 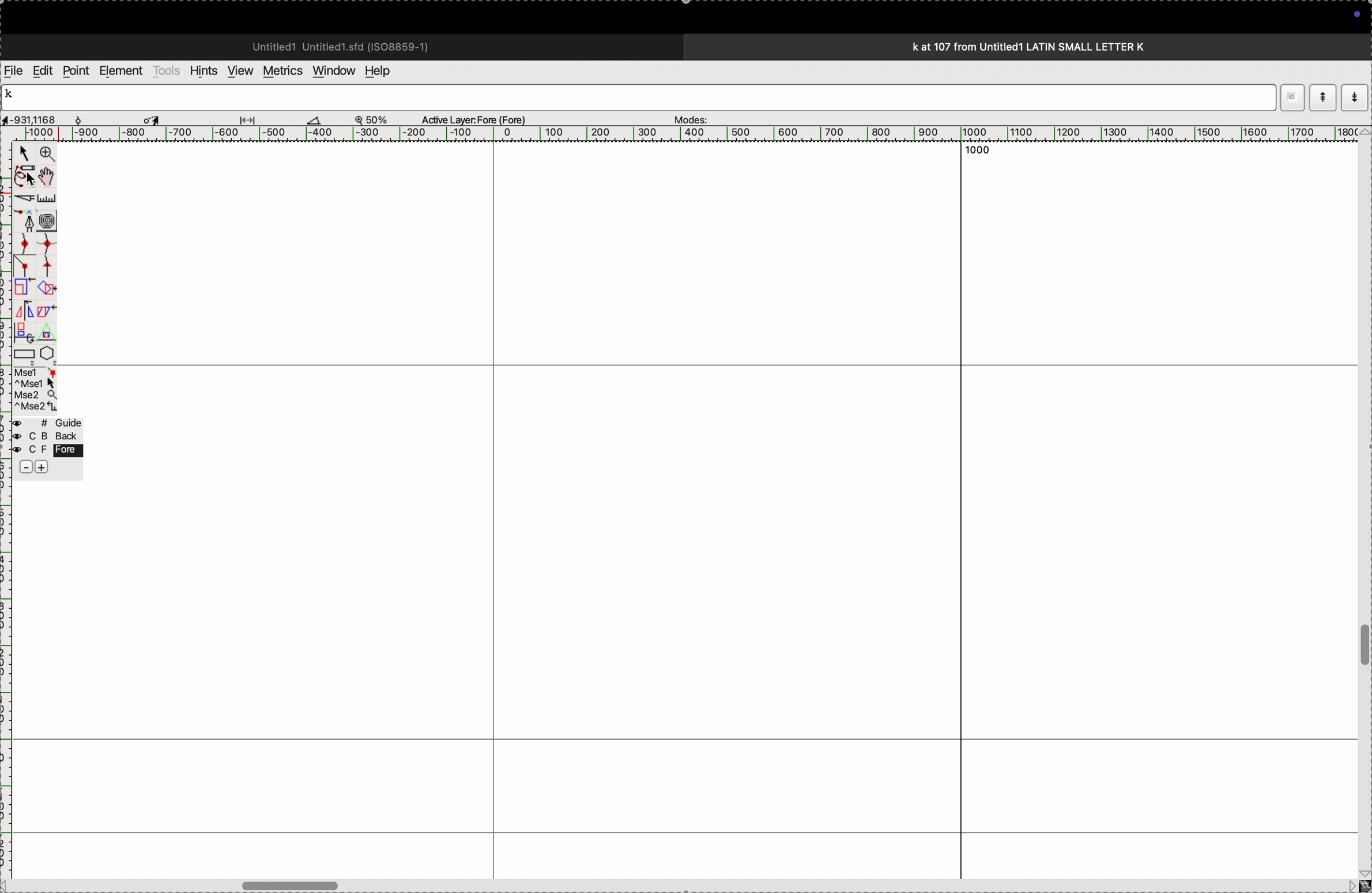 What do you see at coordinates (24, 353) in the screenshot?
I see `rectangle` at bounding box center [24, 353].